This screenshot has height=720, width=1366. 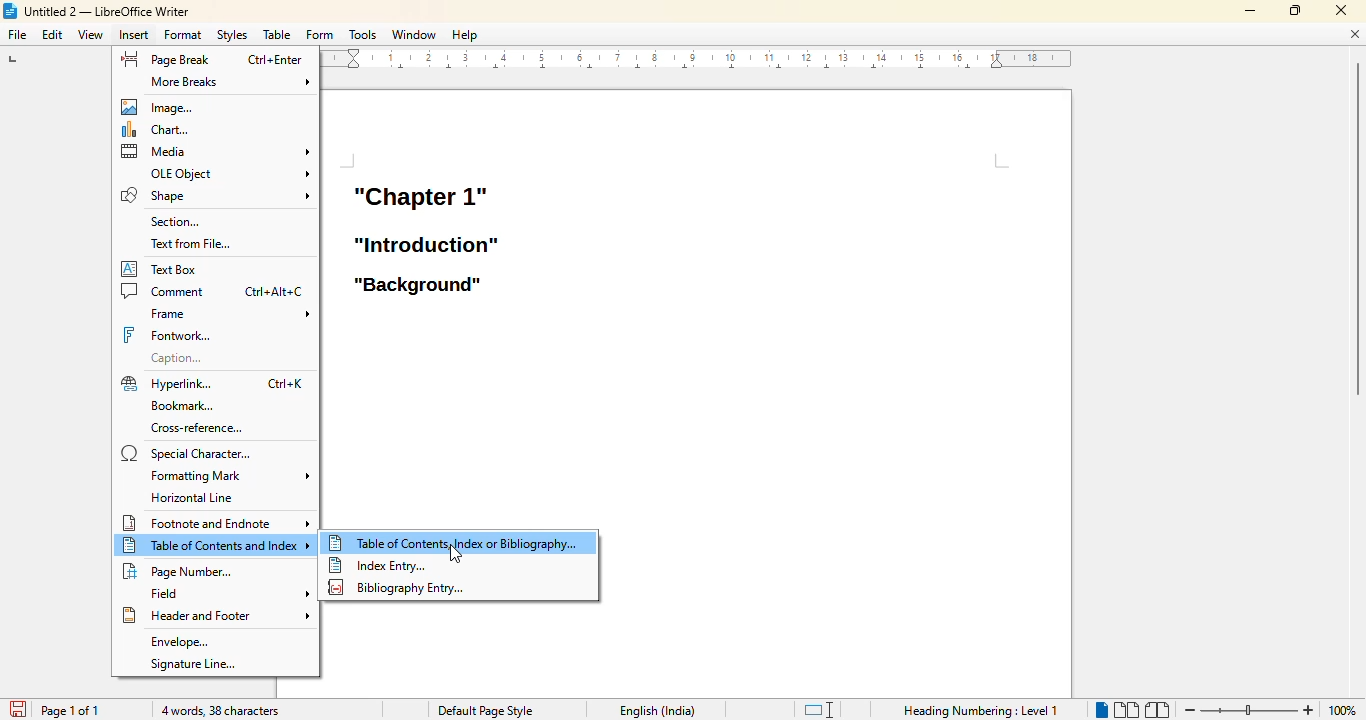 What do you see at coordinates (227, 313) in the screenshot?
I see `frame` at bounding box center [227, 313].